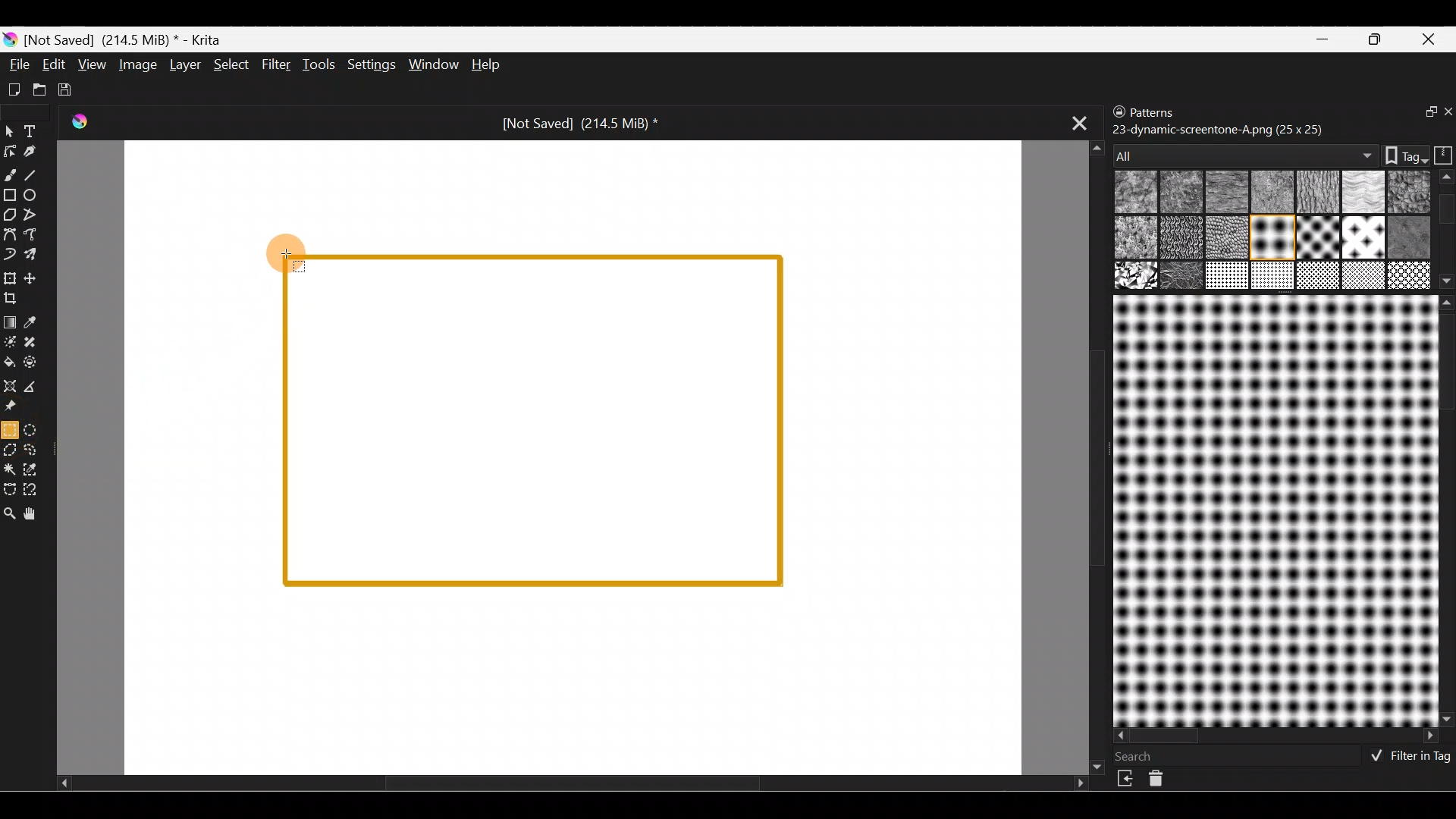 This screenshot has height=819, width=1456. Describe the element at coordinates (1432, 38) in the screenshot. I see `Close` at that location.